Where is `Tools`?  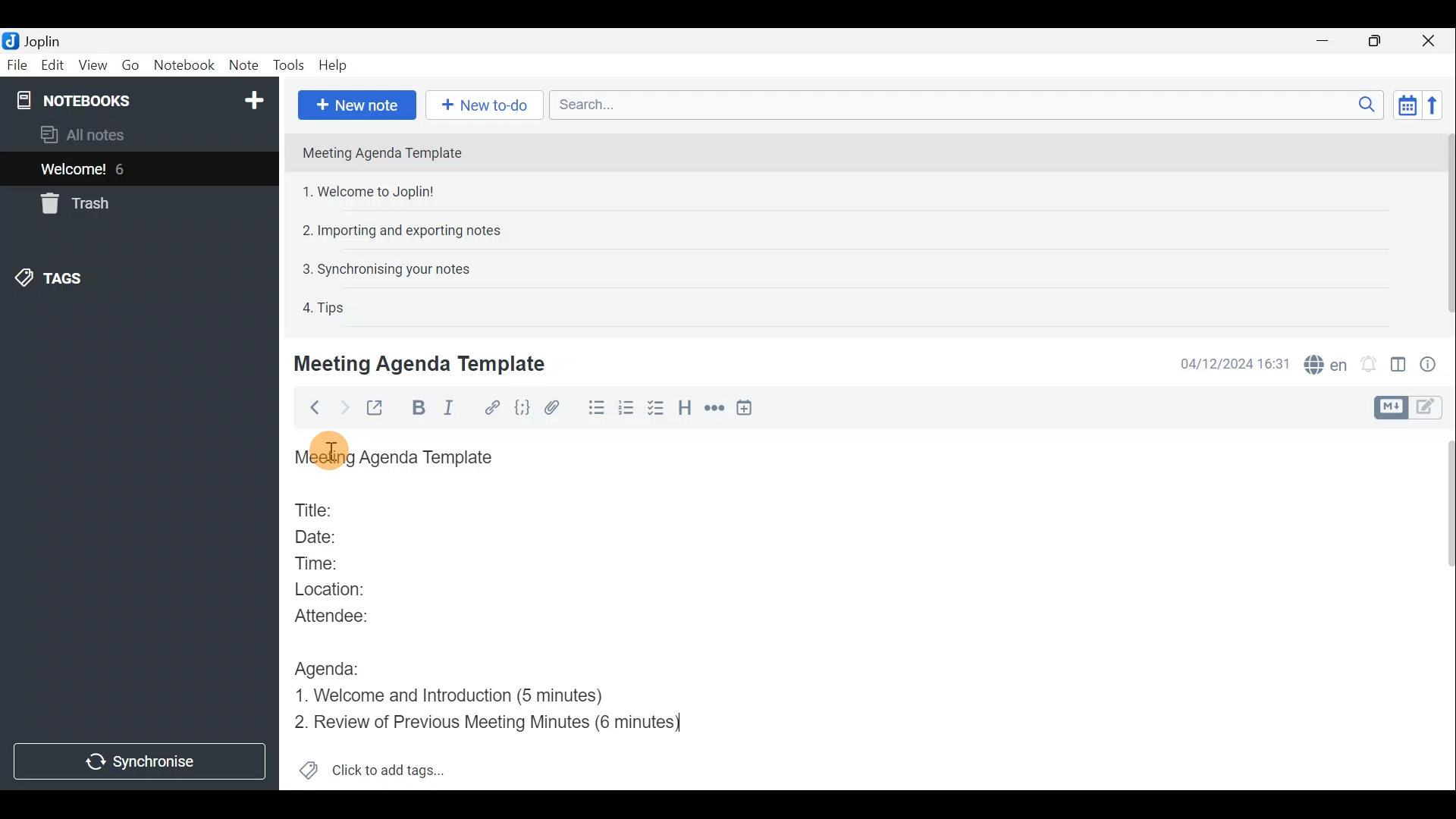
Tools is located at coordinates (287, 63).